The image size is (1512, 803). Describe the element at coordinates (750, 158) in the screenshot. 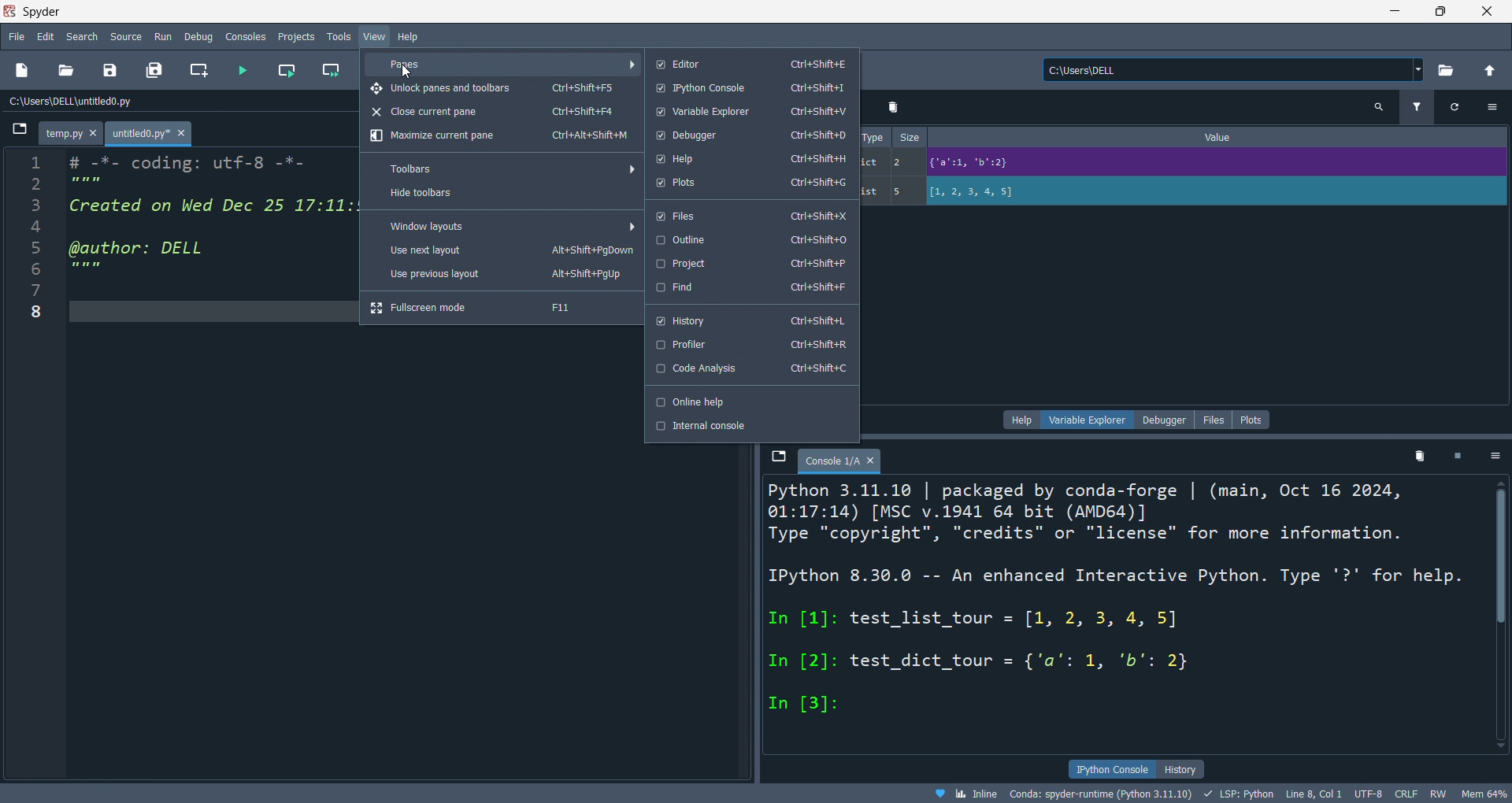

I see `help` at that location.